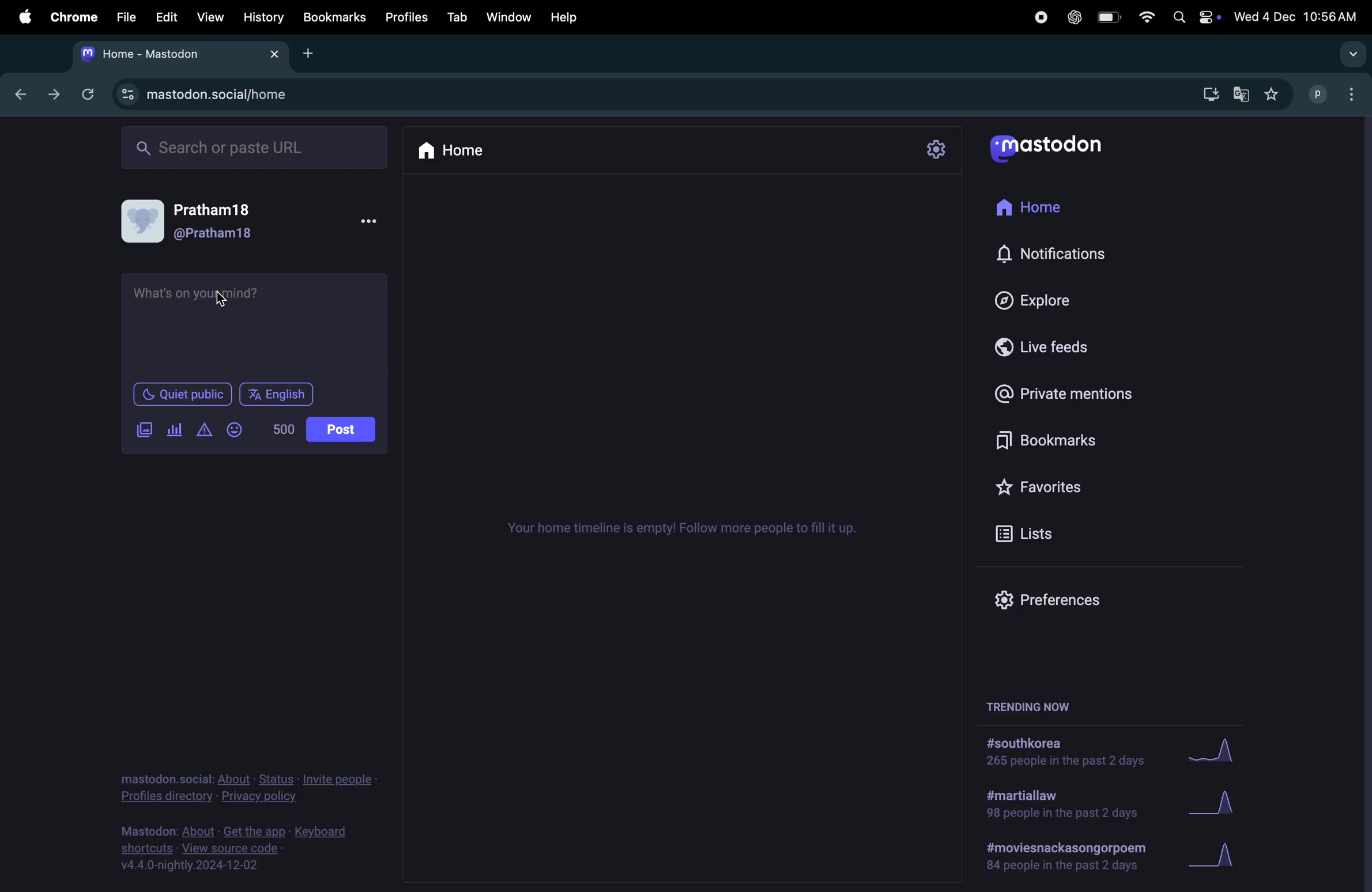 Image resolution: width=1372 pixels, height=892 pixels. Describe the element at coordinates (406, 16) in the screenshot. I see `Profiles` at that location.